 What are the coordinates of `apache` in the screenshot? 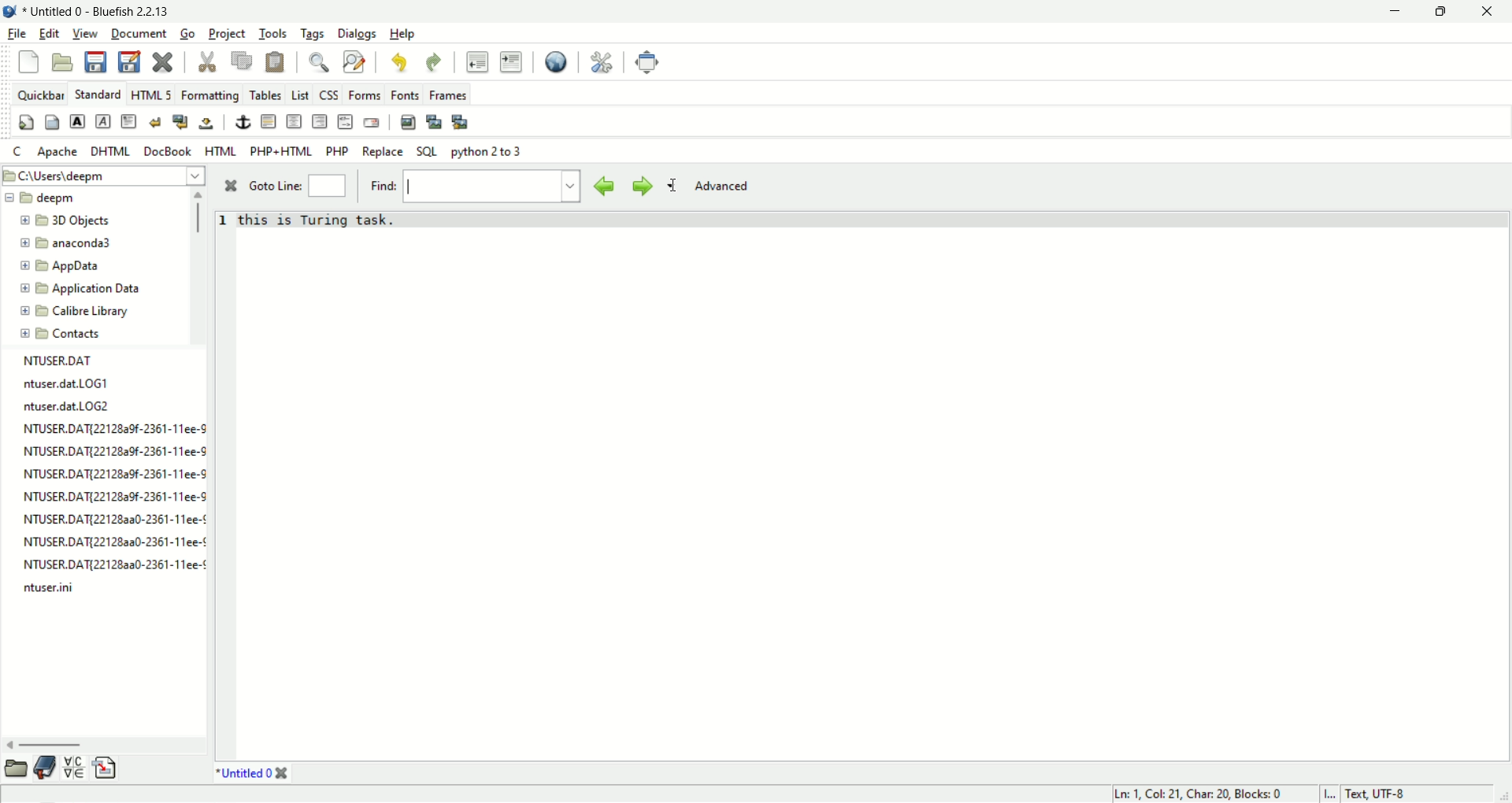 It's located at (58, 151).